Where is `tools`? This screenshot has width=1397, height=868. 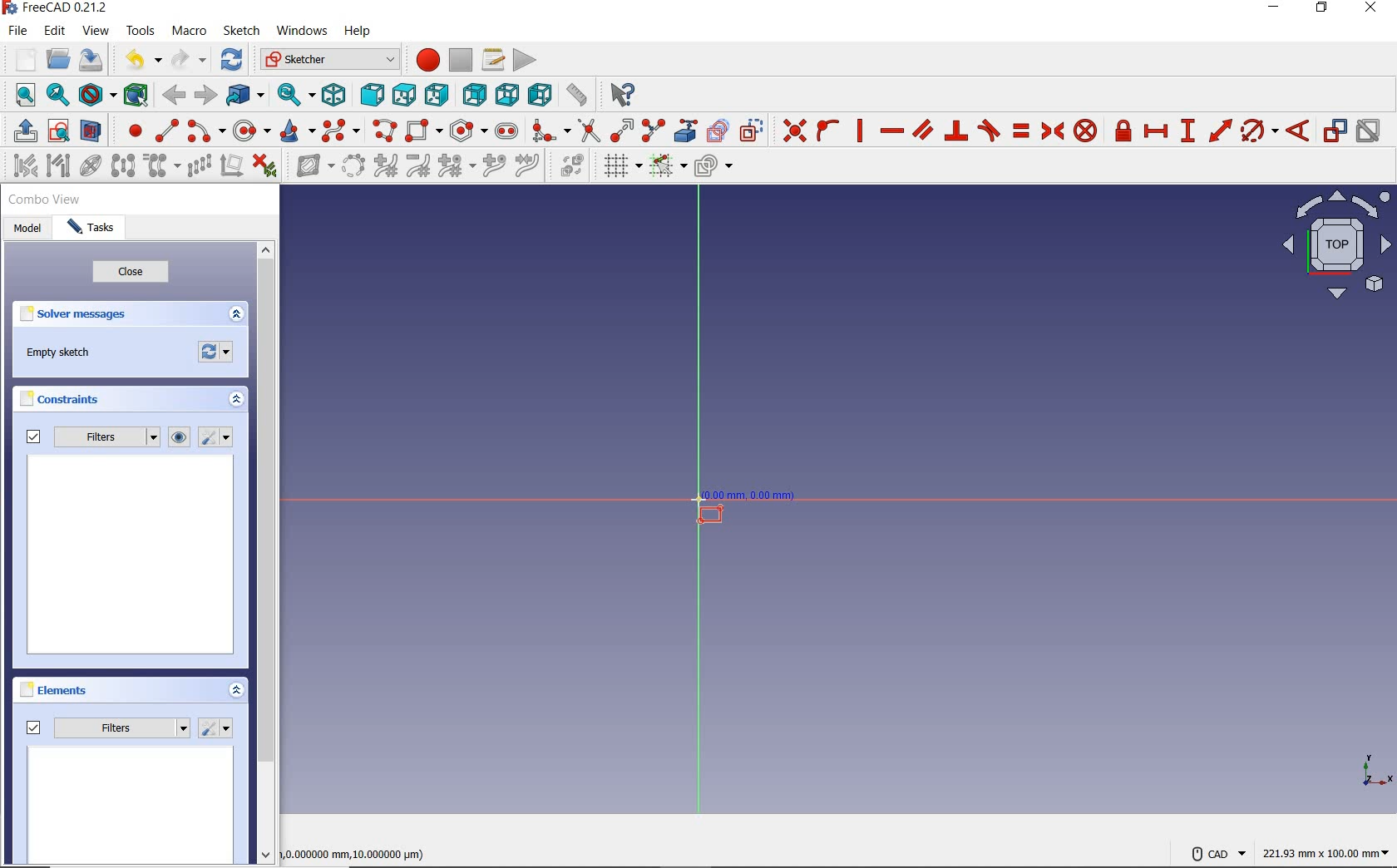
tools is located at coordinates (140, 32).